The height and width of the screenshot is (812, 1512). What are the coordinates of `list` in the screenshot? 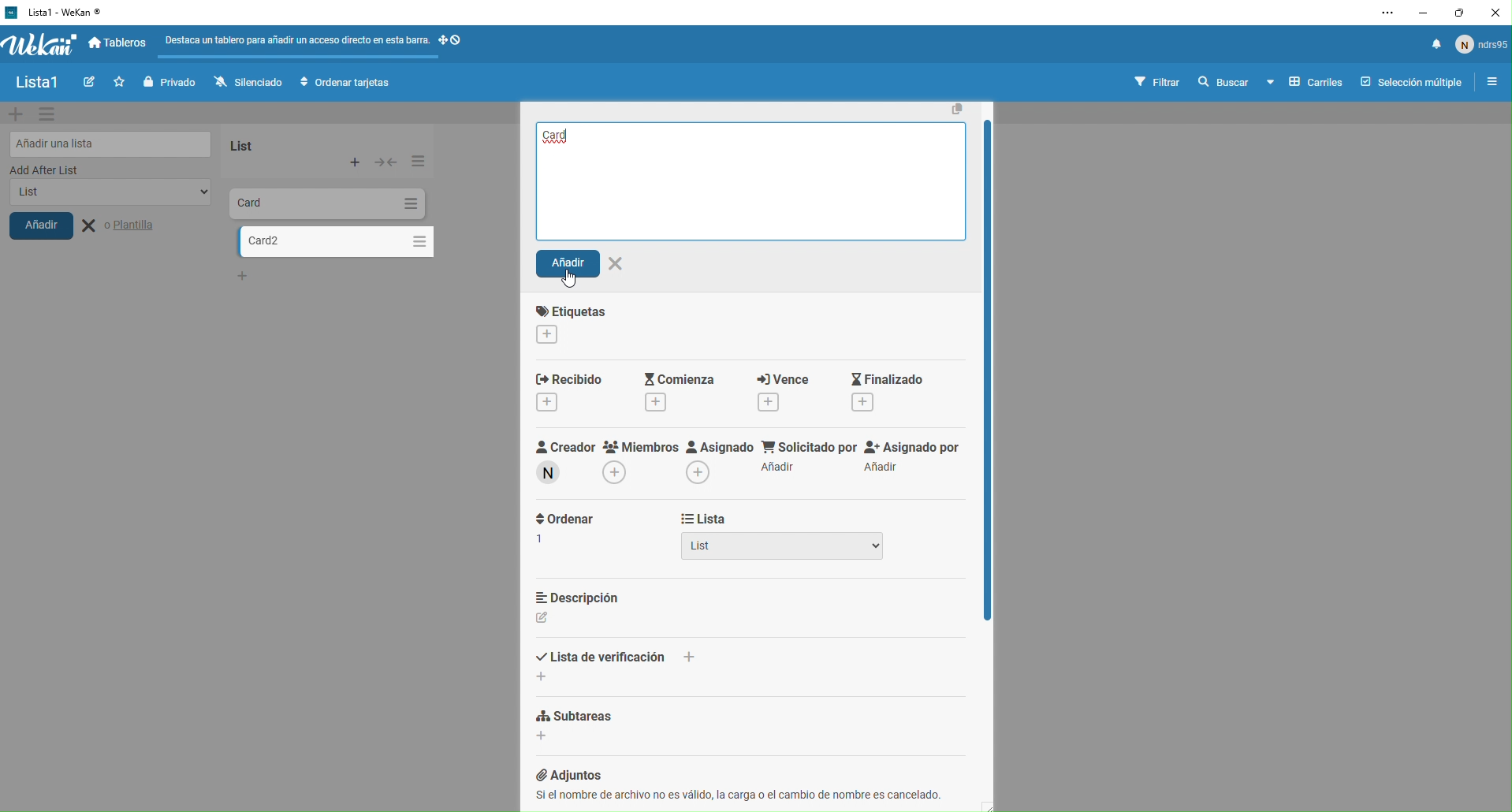 It's located at (105, 197).